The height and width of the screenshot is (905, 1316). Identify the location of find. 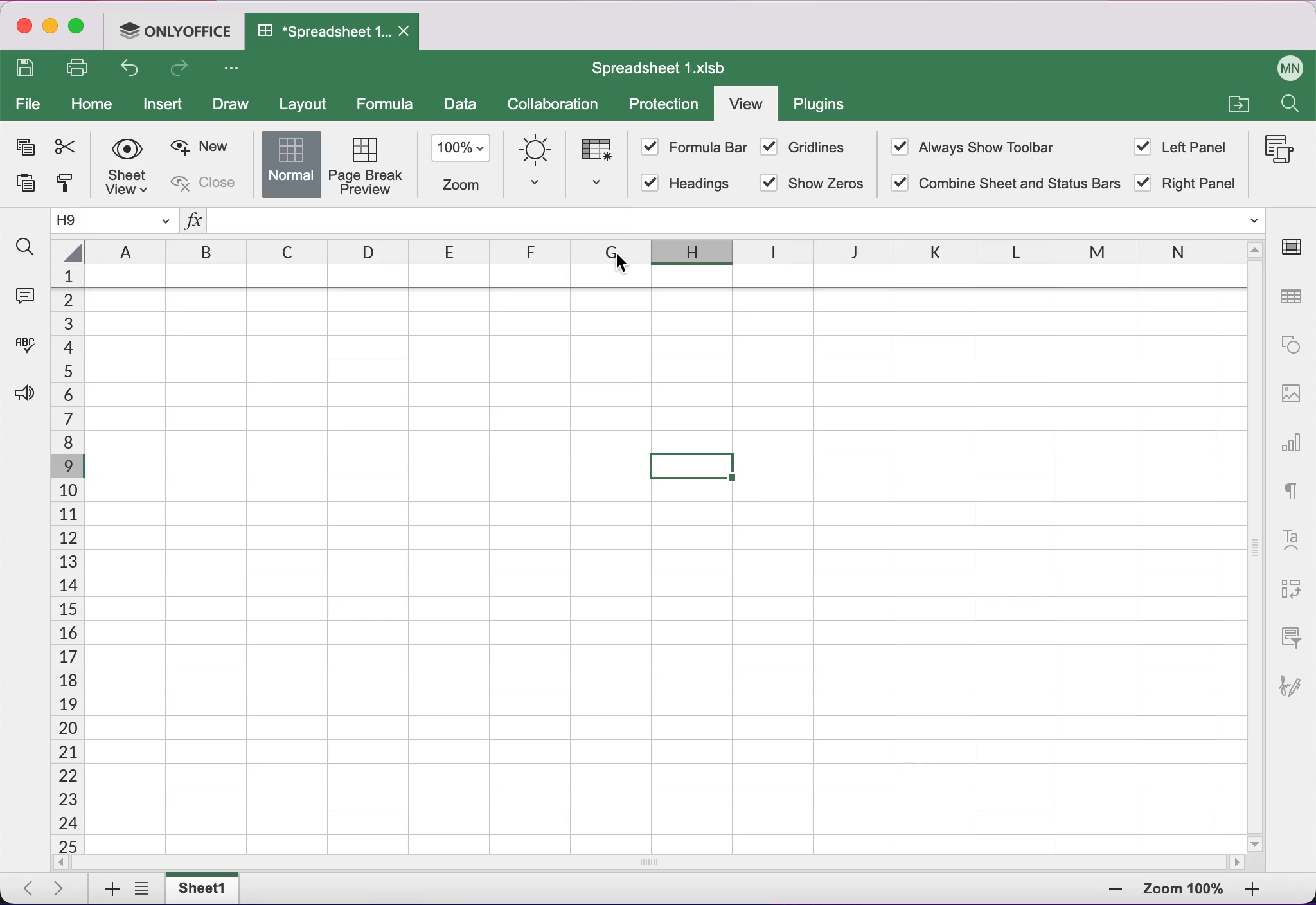
(1292, 105).